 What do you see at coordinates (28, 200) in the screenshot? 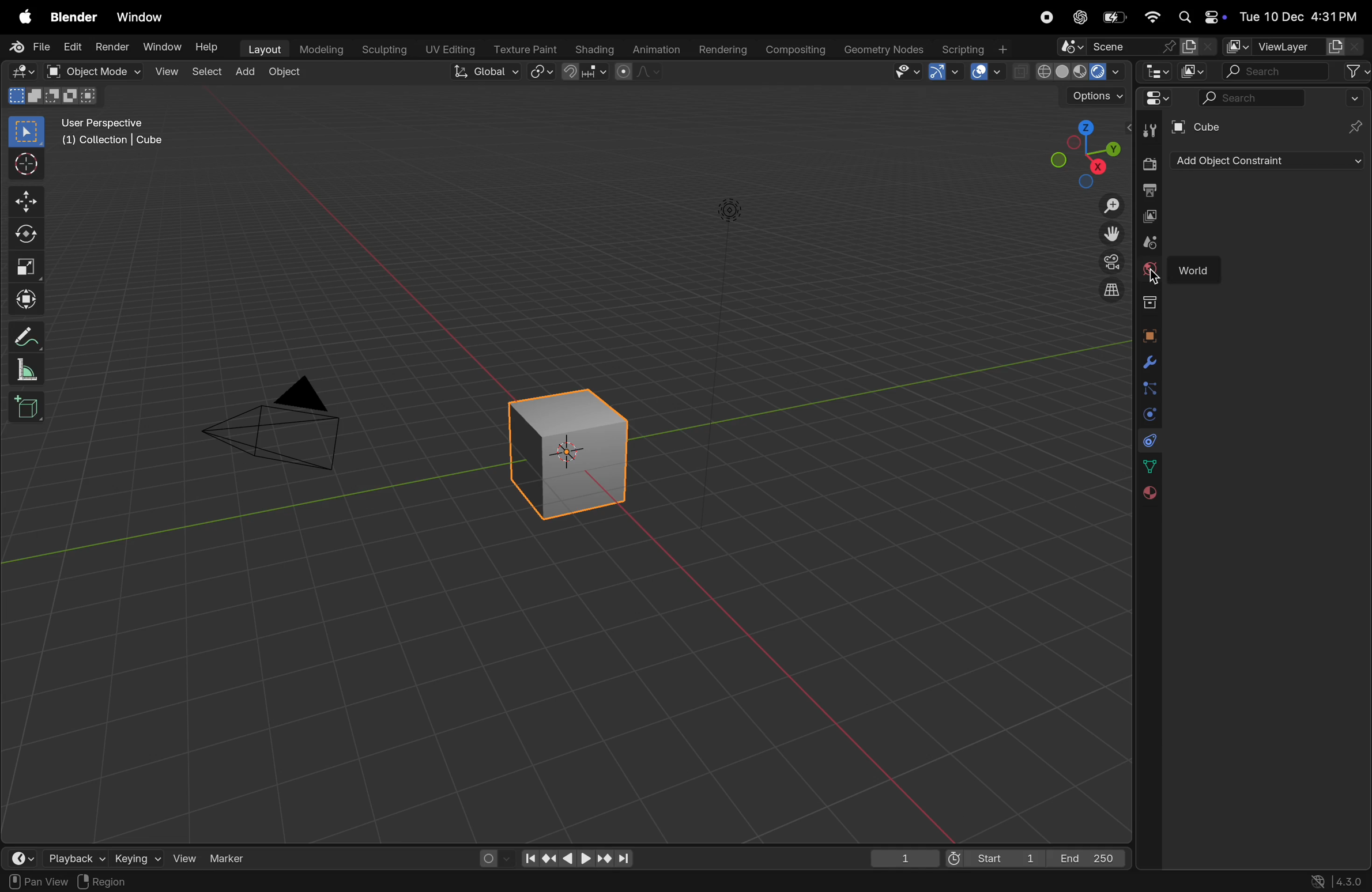
I see `move` at bounding box center [28, 200].